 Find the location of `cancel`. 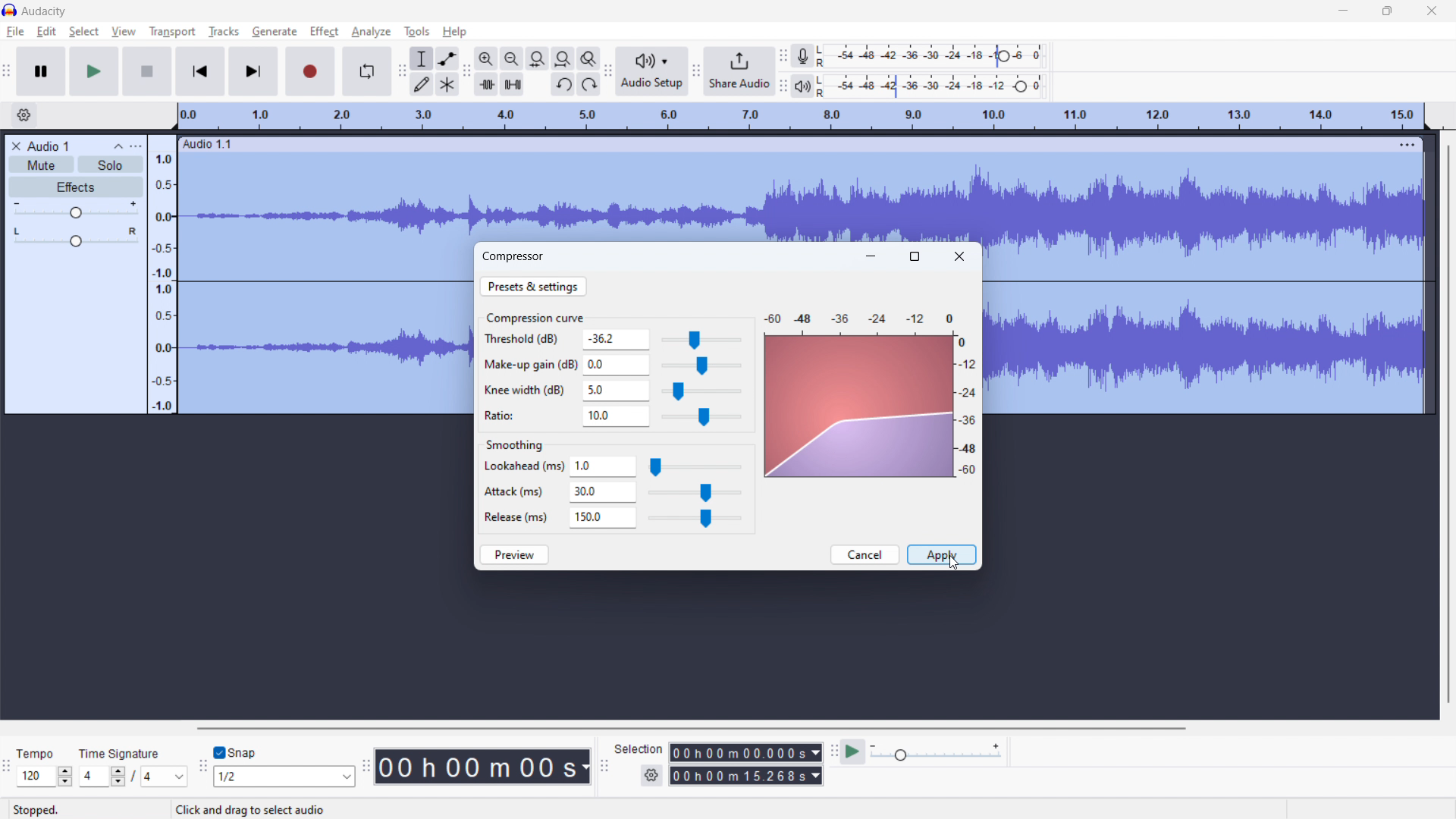

cancel is located at coordinates (864, 554).